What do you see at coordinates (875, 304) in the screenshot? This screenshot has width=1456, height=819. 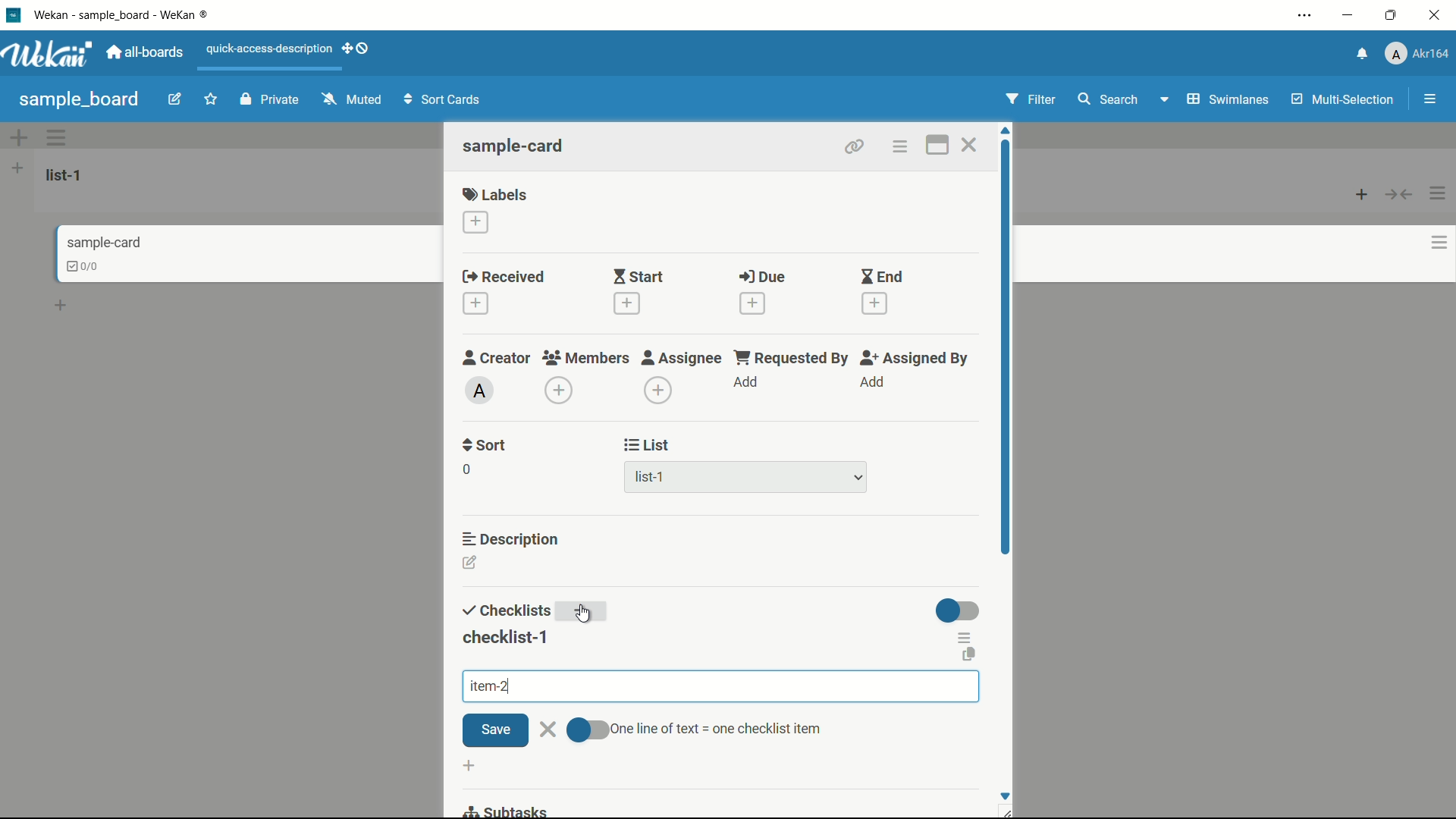 I see `add date` at bounding box center [875, 304].